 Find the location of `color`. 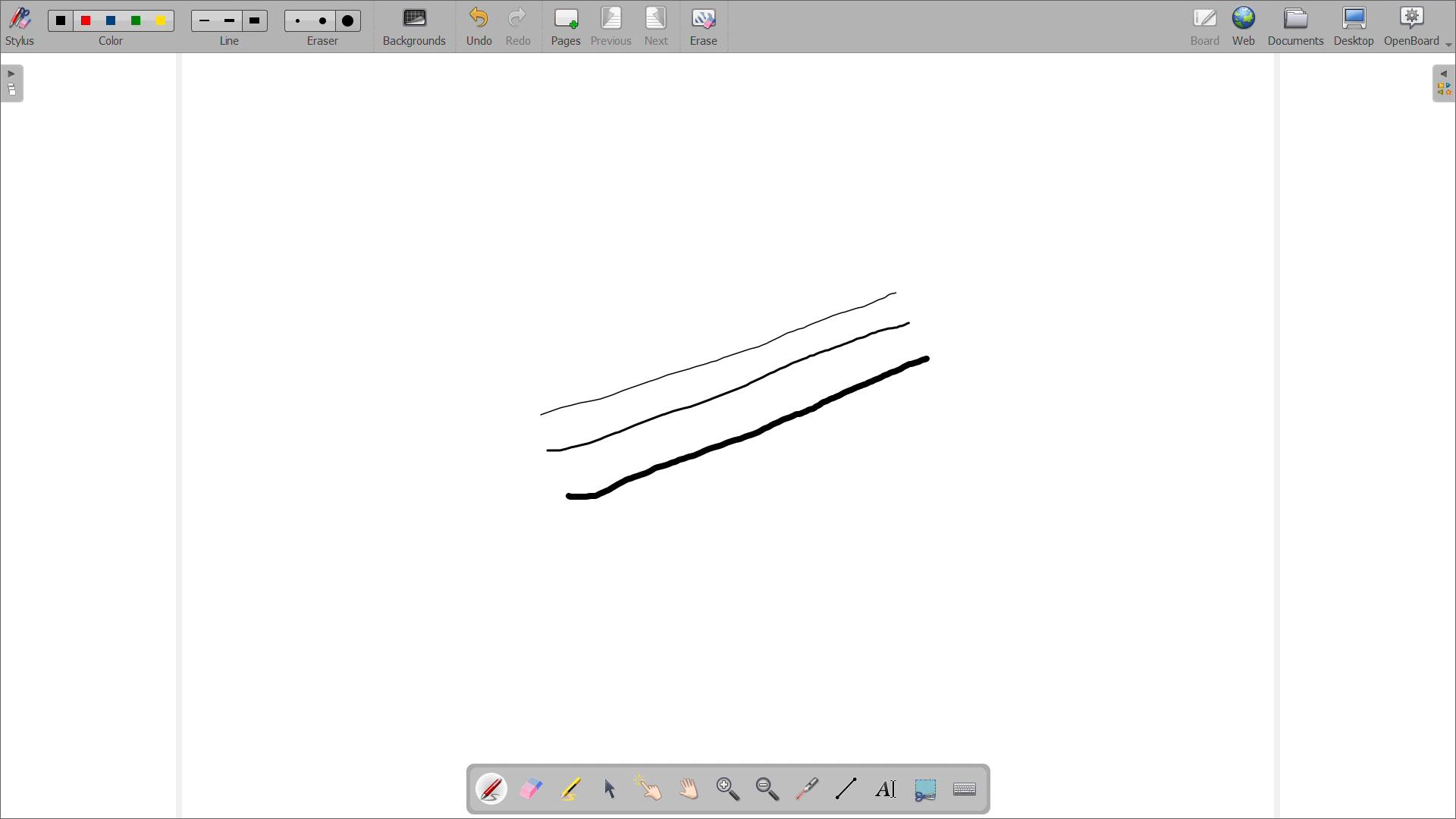

color is located at coordinates (114, 20).